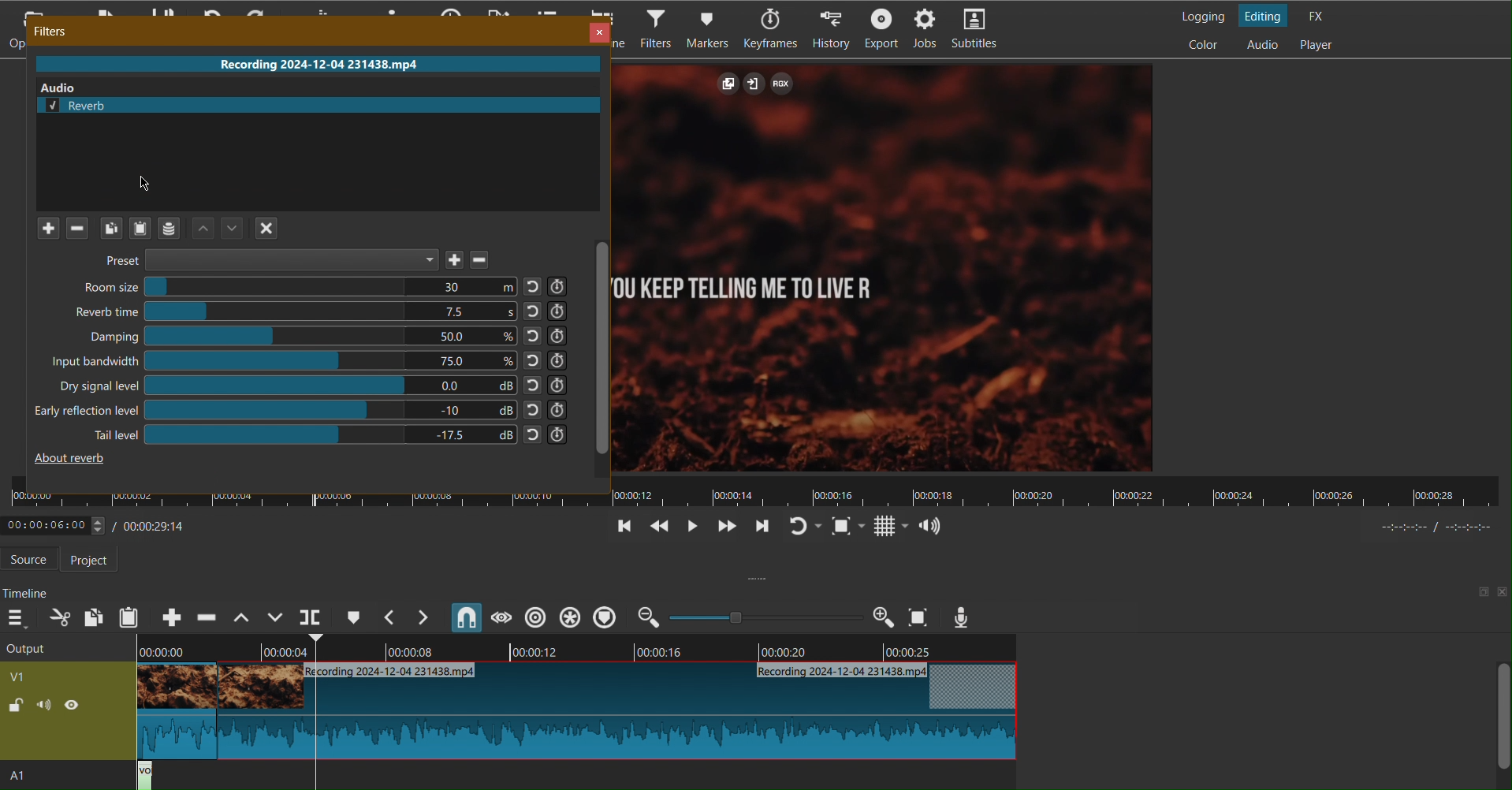 The image size is (1512, 790). I want to click on Timeline, so click(28, 588).